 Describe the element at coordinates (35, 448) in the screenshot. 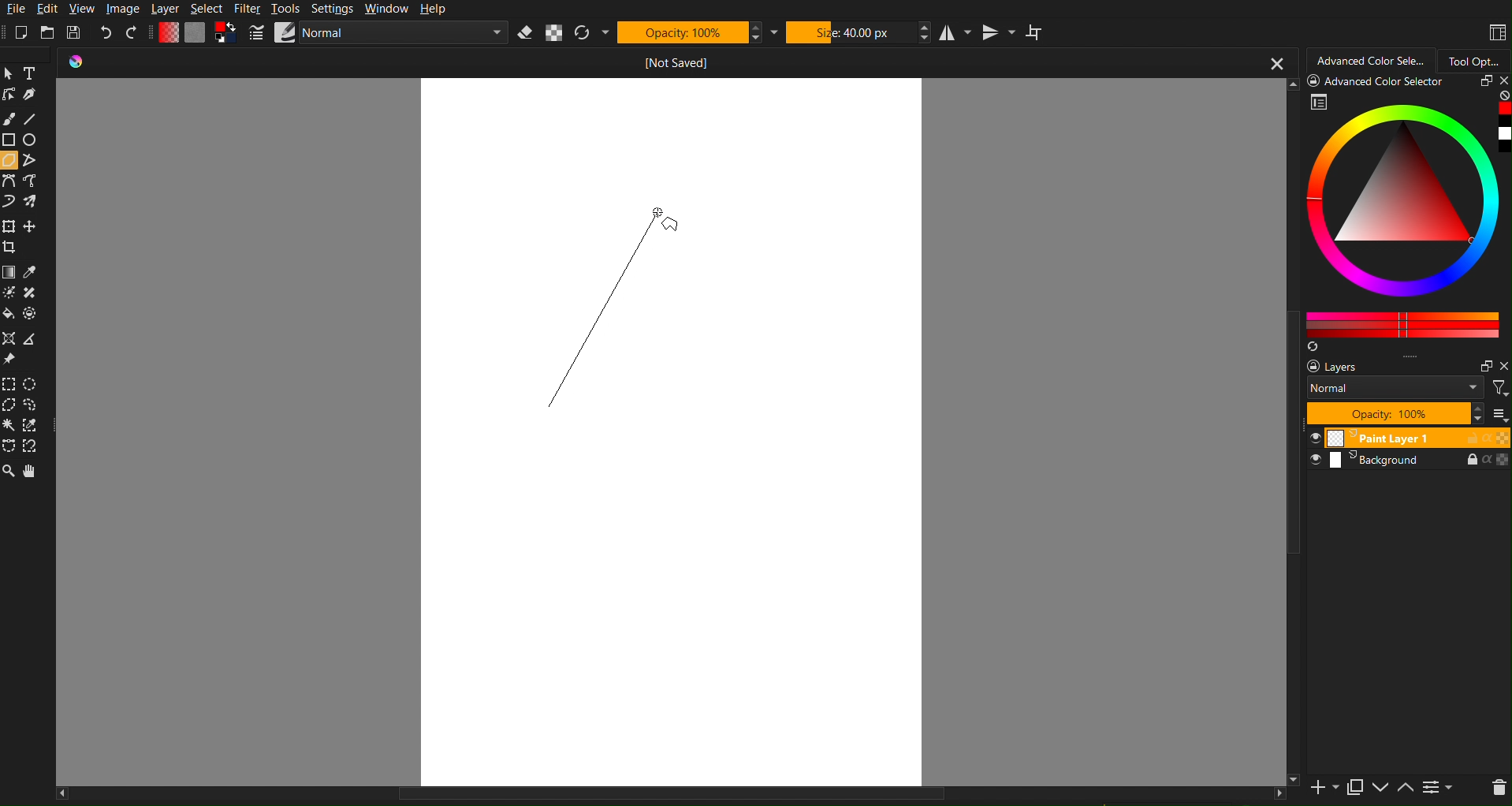

I see `magnetic curve Selection Tools` at that location.